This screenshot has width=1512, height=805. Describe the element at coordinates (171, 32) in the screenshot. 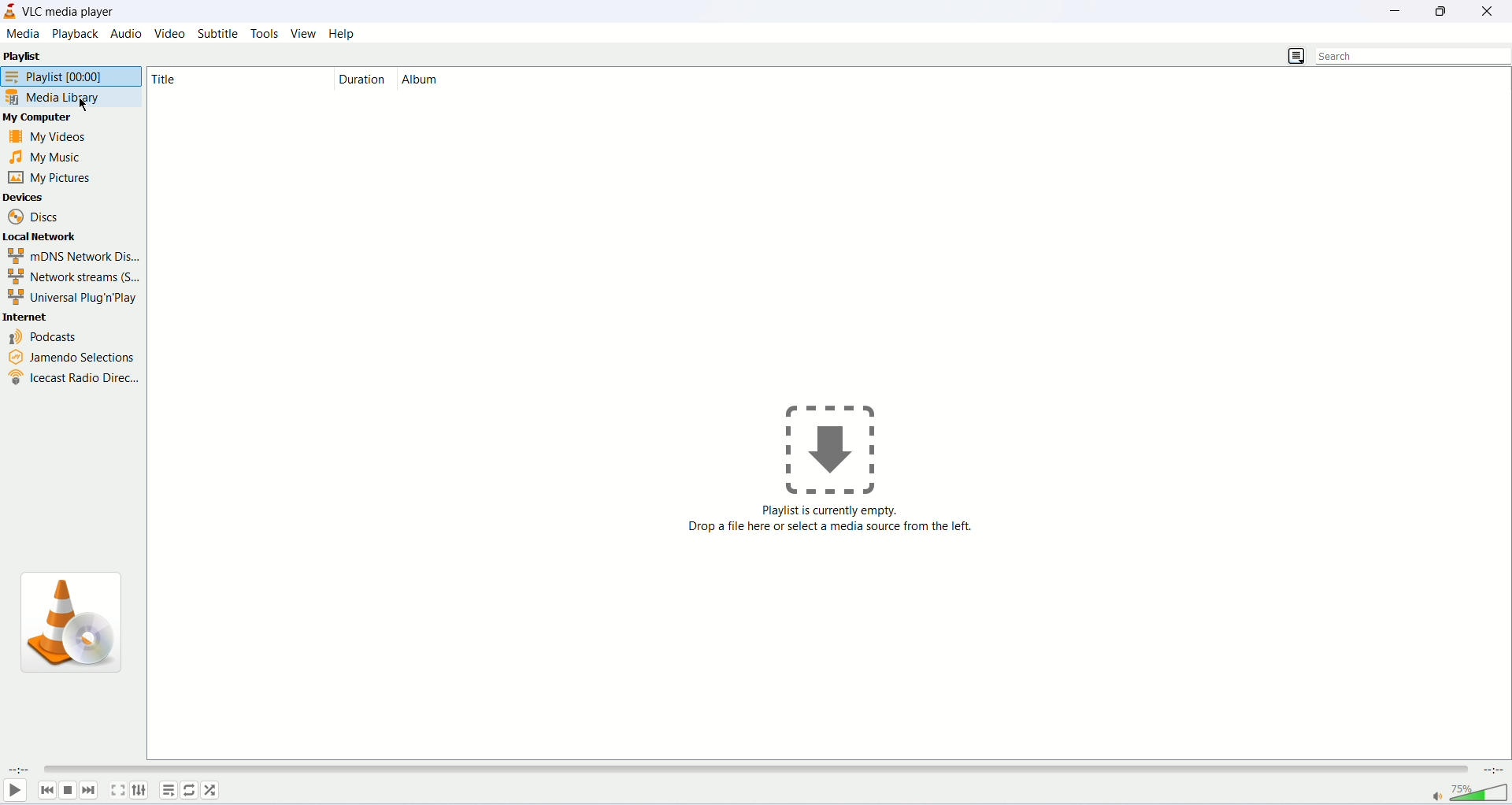

I see `video` at that location.